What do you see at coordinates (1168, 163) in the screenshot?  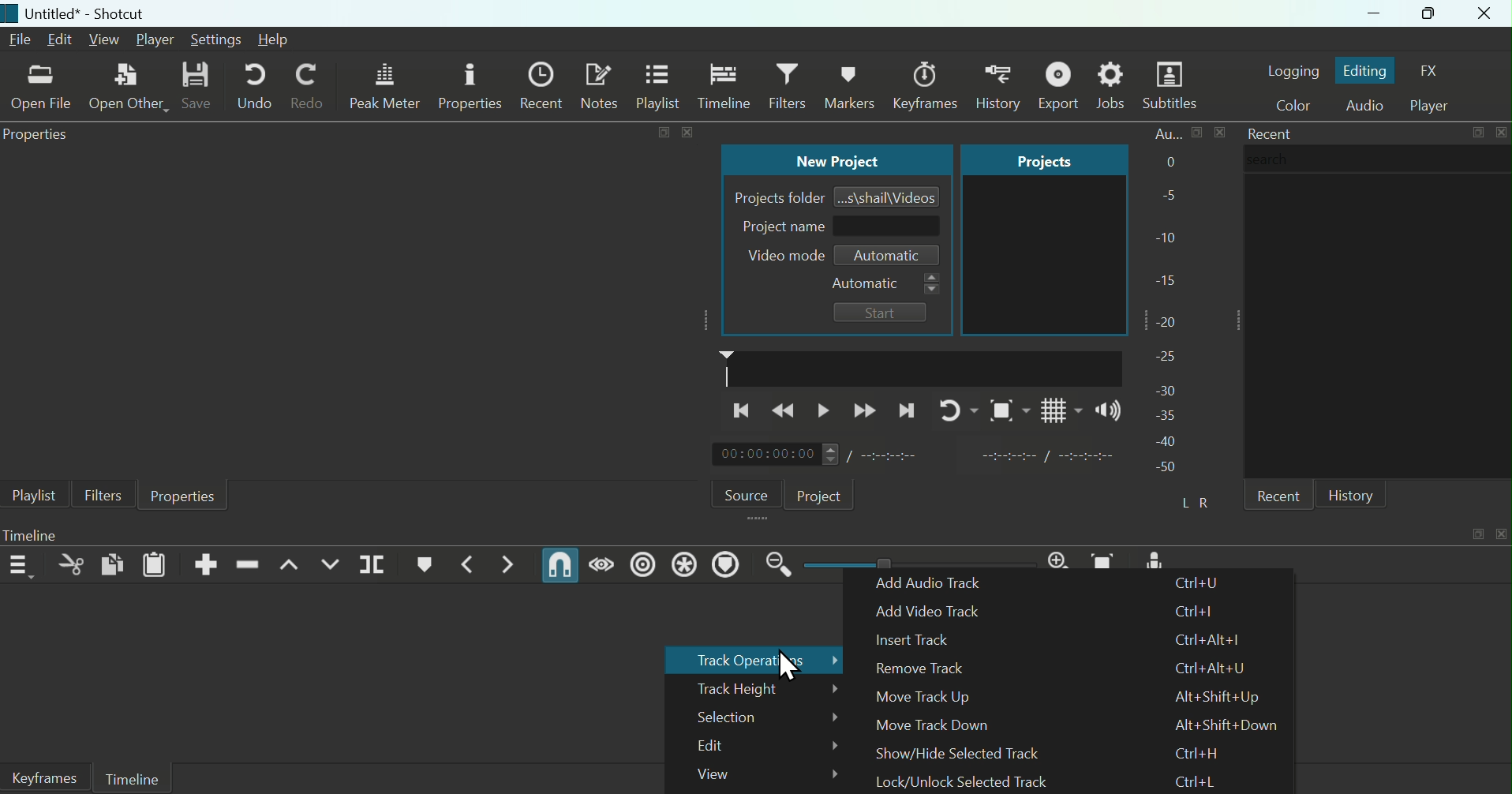 I see `0` at bounding box center [1168, 163].